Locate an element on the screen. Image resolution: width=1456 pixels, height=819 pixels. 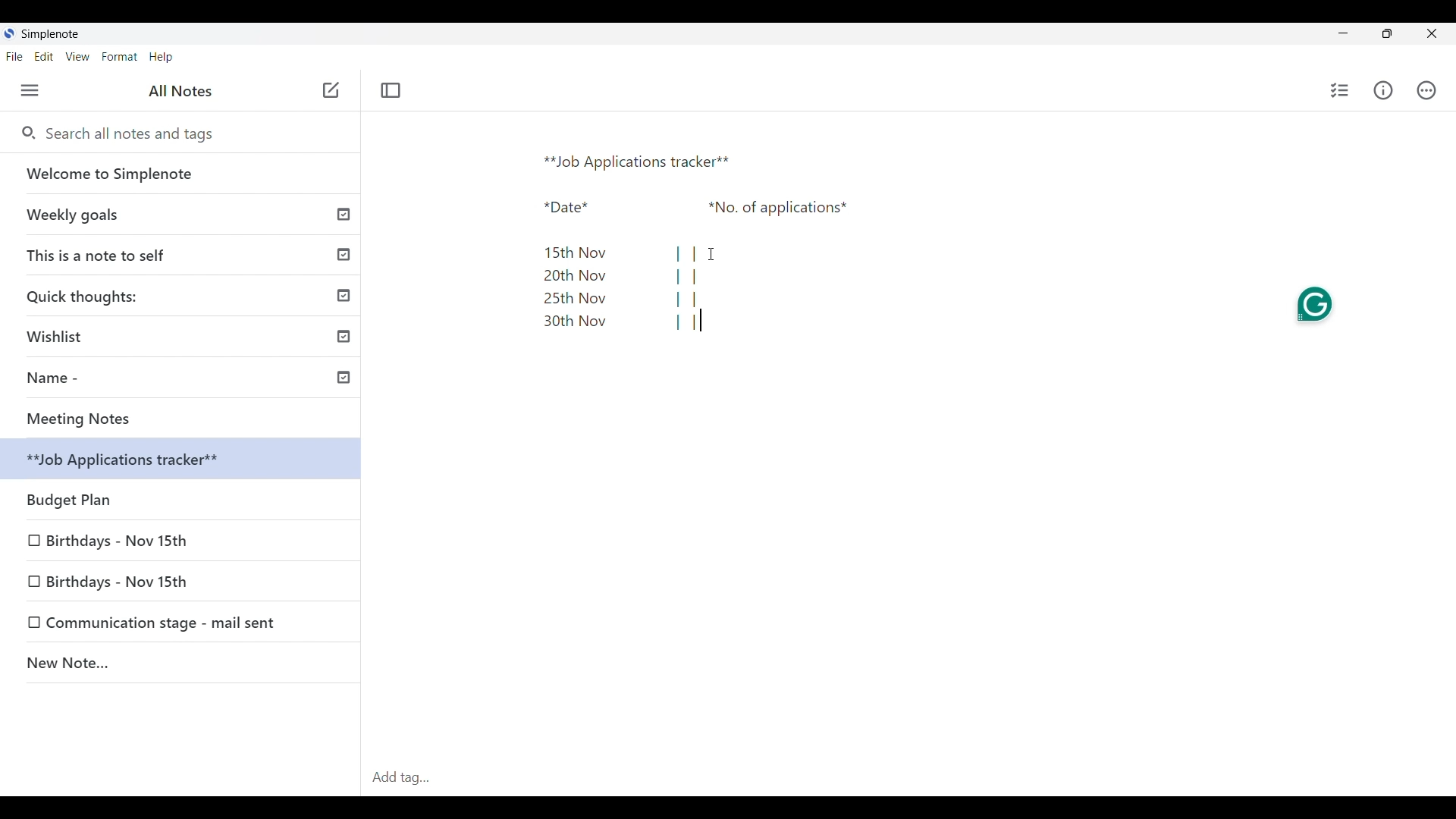
Software name is located at coordinates (50, 34).